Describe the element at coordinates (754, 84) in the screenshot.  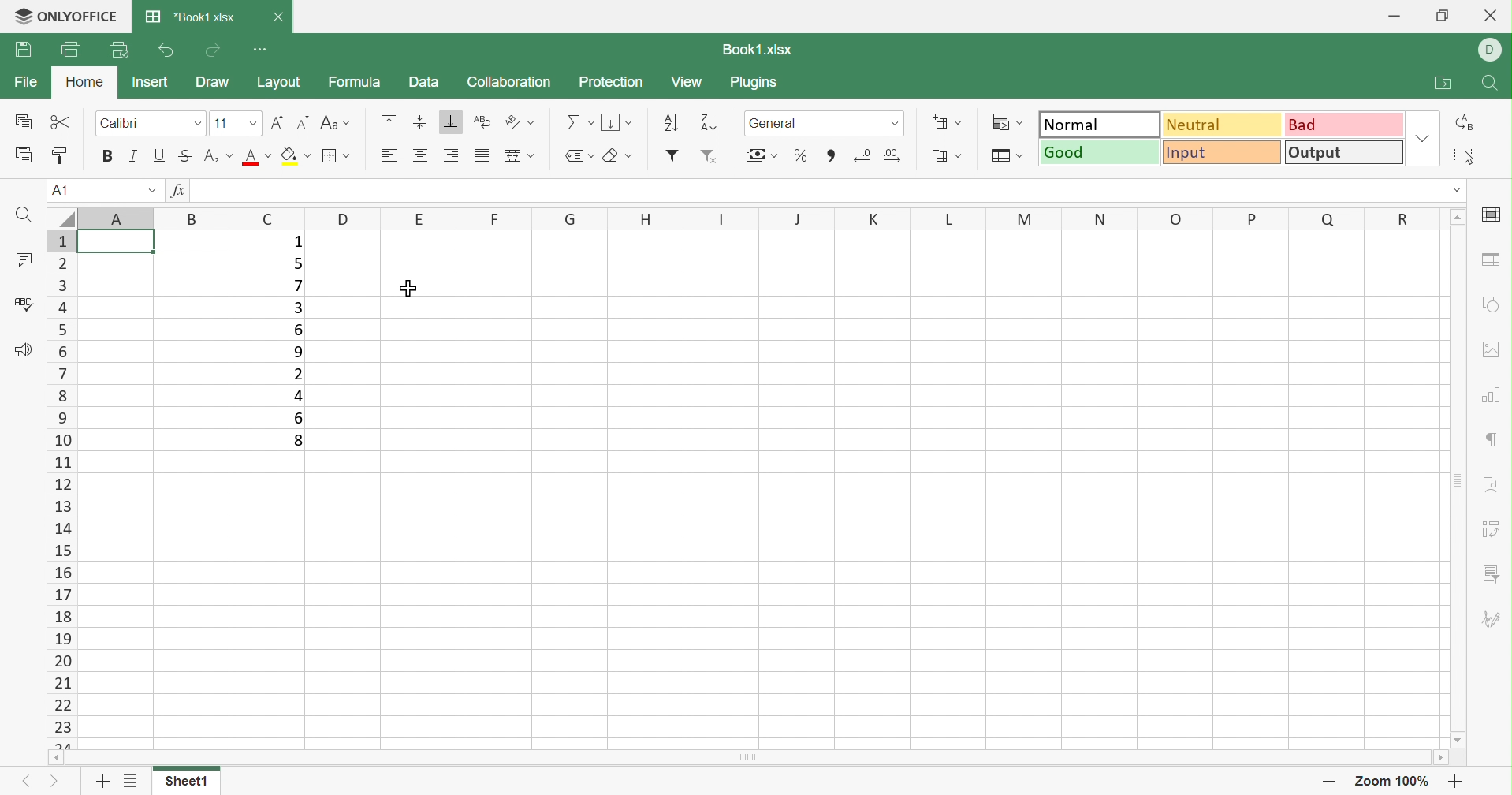
I see `Plugins` at that location.